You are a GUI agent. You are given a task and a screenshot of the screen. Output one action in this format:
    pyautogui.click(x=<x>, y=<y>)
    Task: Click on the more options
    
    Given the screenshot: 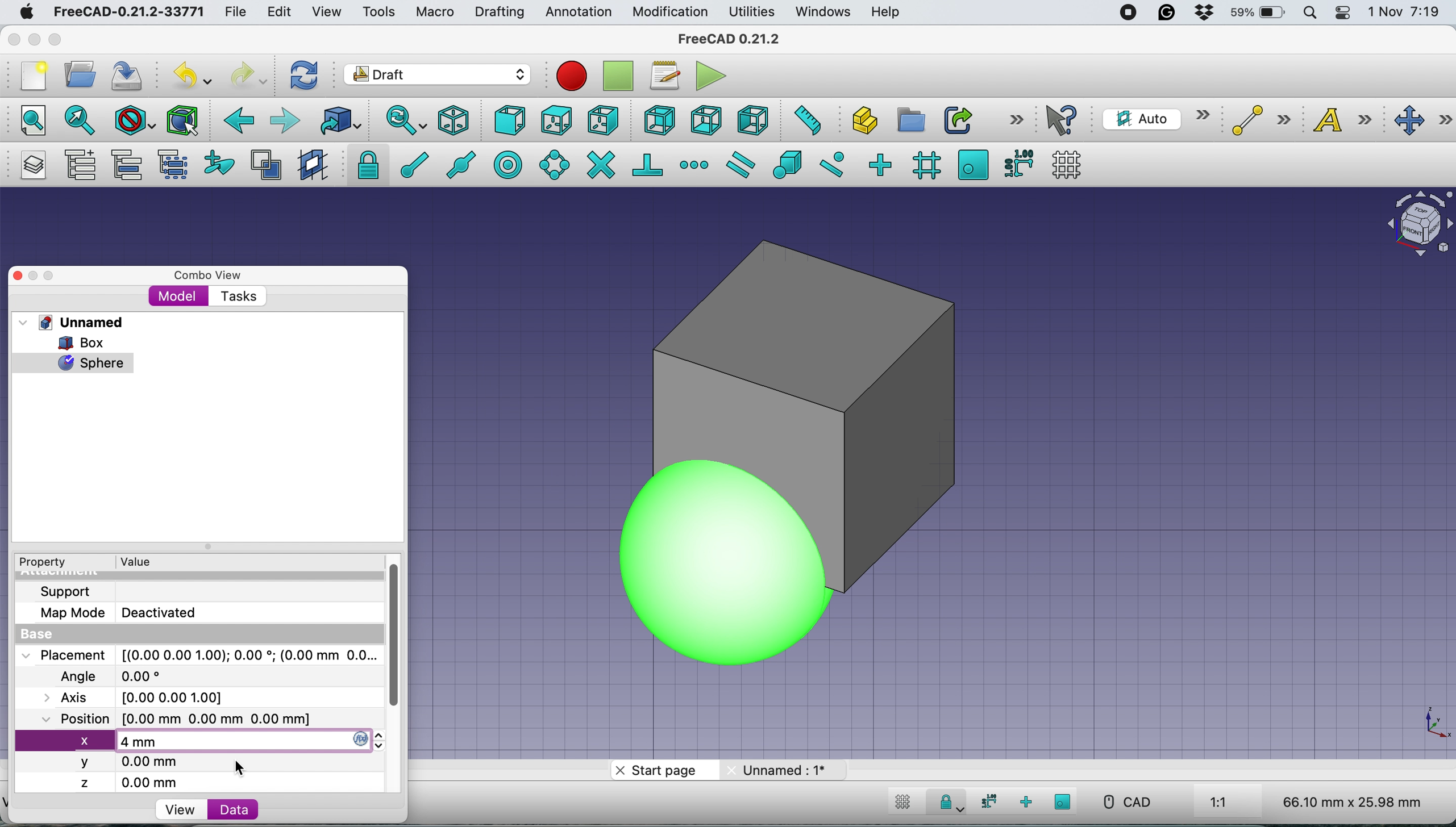 What is the action you would take?
    pyautogui.click(x=1016, y=119)
    